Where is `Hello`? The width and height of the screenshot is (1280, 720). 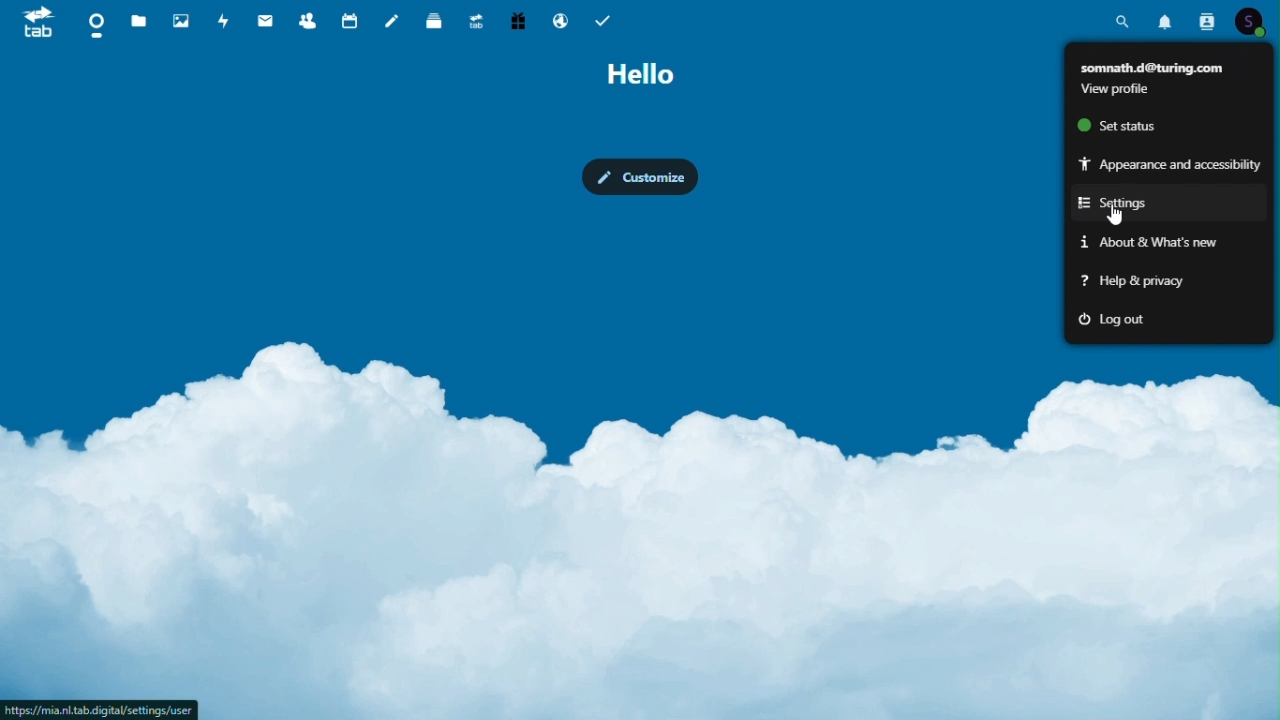
Hello is located at coordinates (641, 74).